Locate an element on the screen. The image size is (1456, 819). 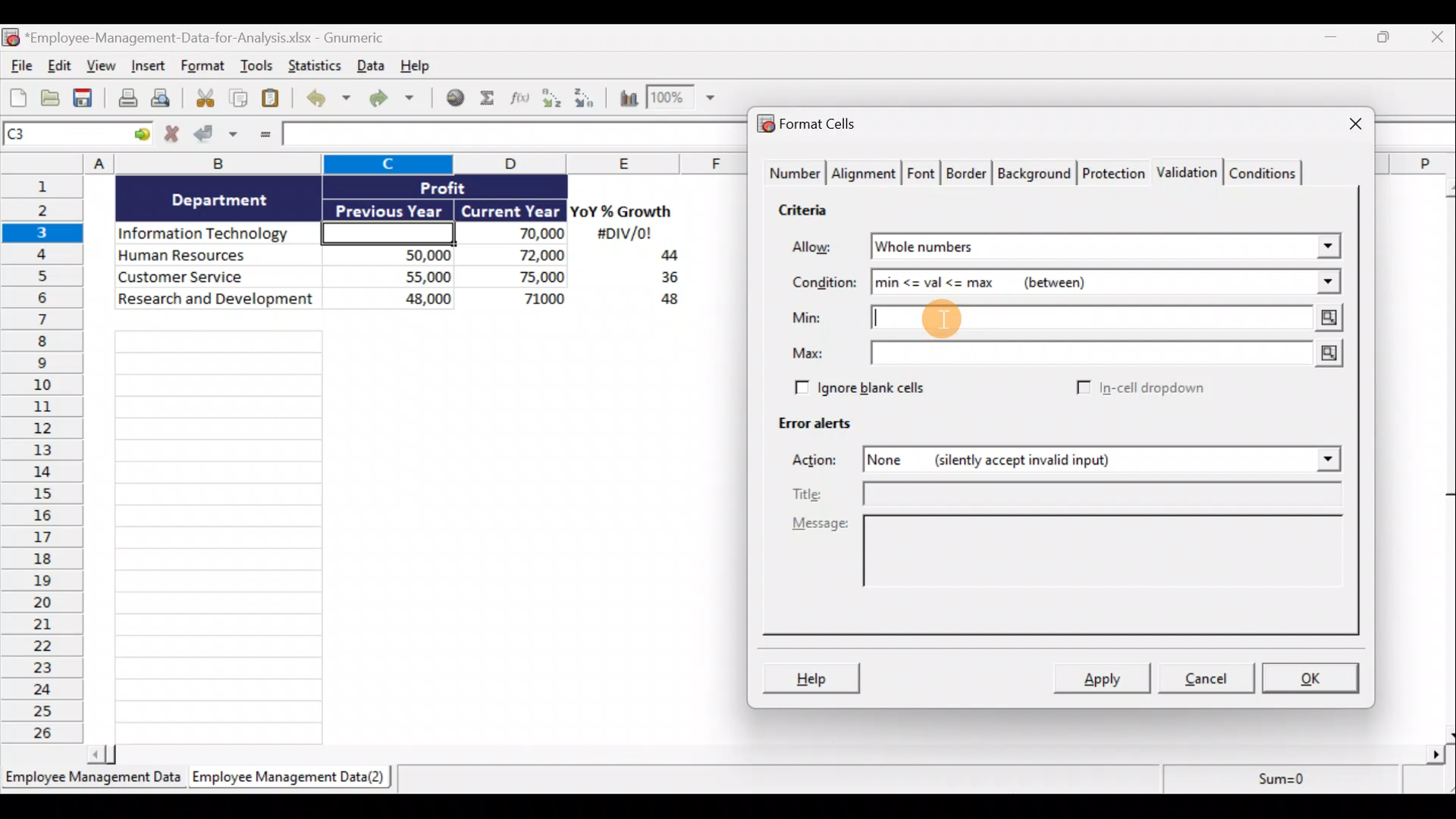
Cut selection is located at coordinates (204, 99).